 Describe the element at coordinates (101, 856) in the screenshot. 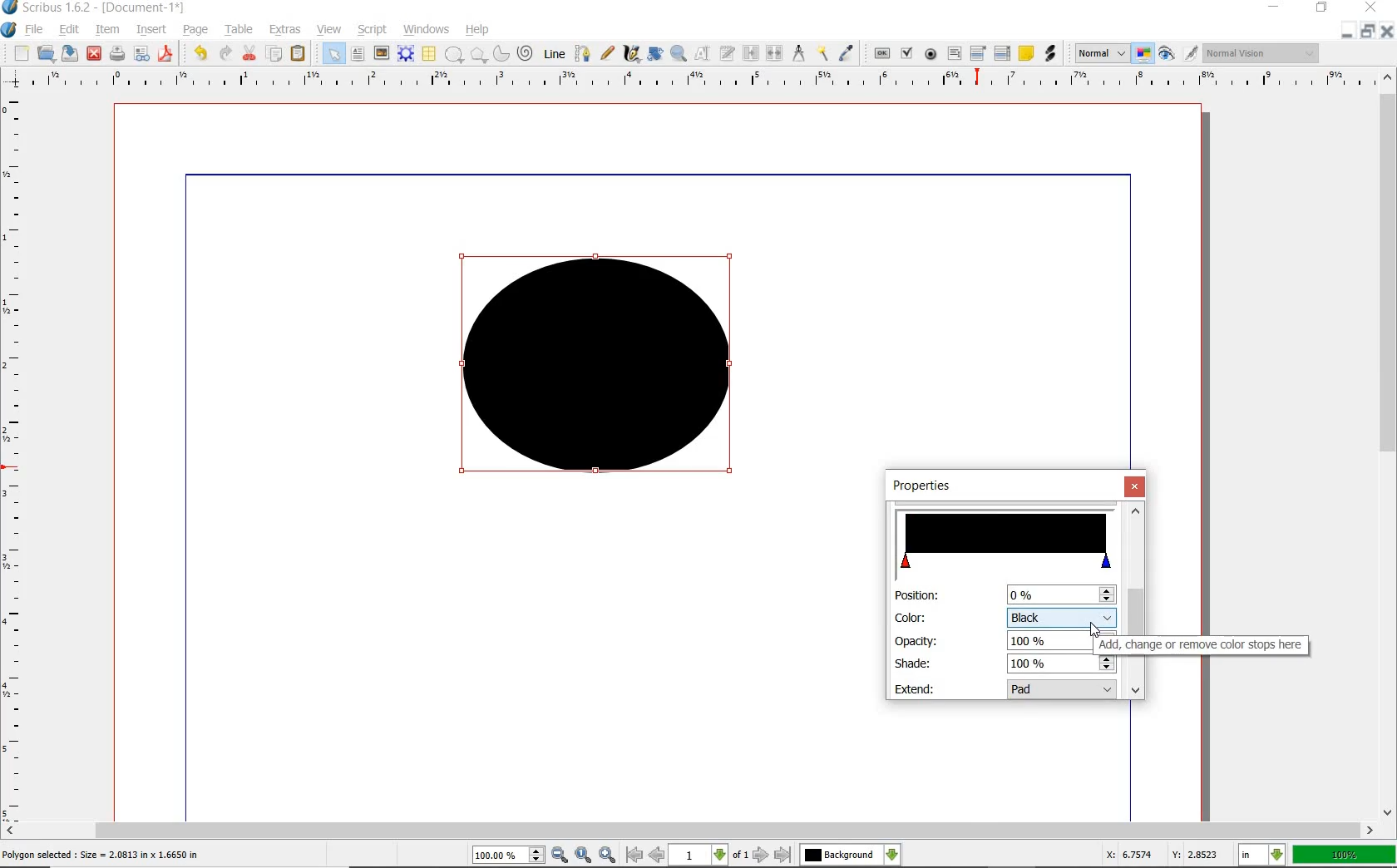

I see `selected` at that location.